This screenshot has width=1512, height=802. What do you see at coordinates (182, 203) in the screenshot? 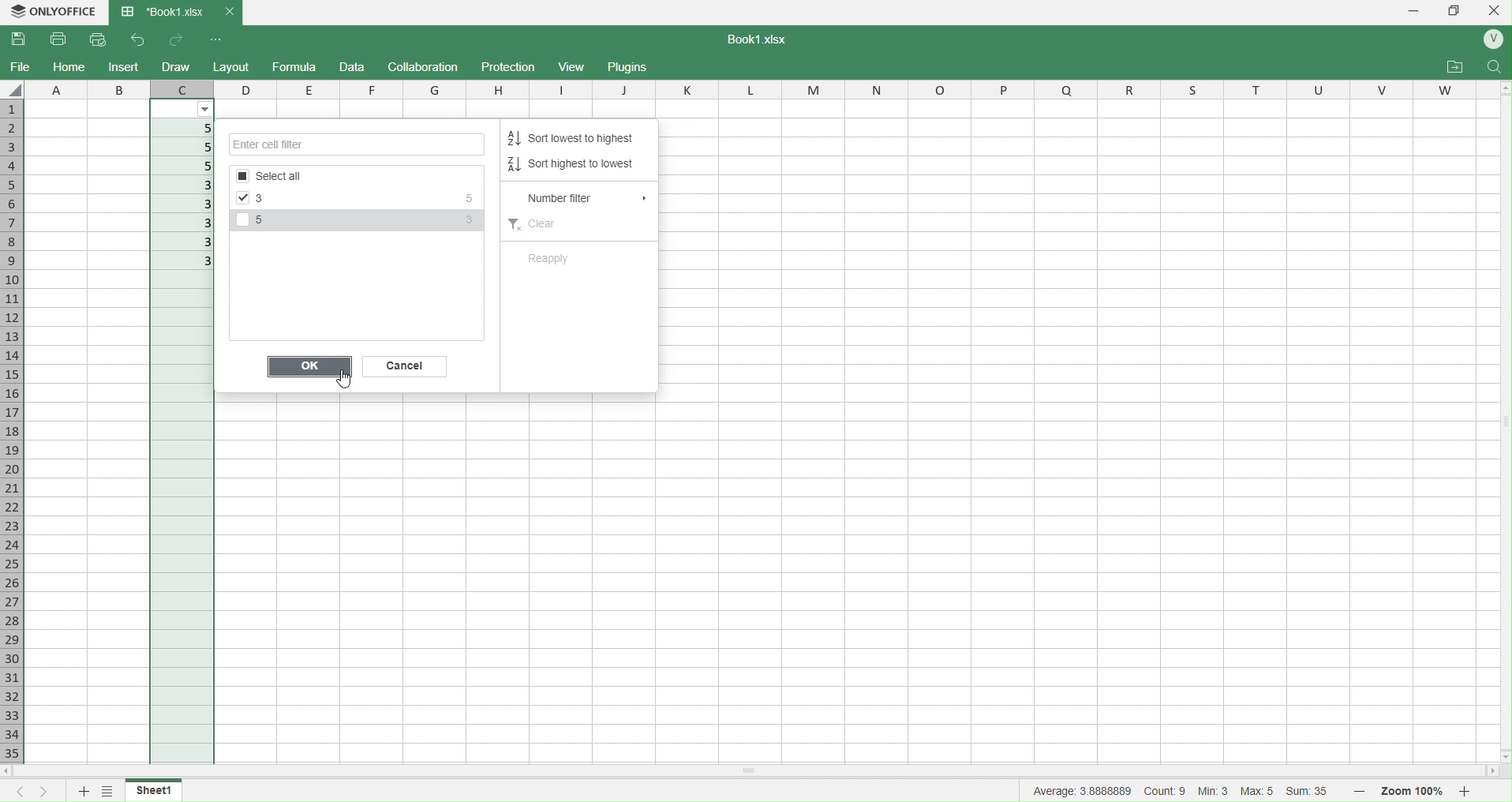
I see `3` at bounding box center [182, 203].